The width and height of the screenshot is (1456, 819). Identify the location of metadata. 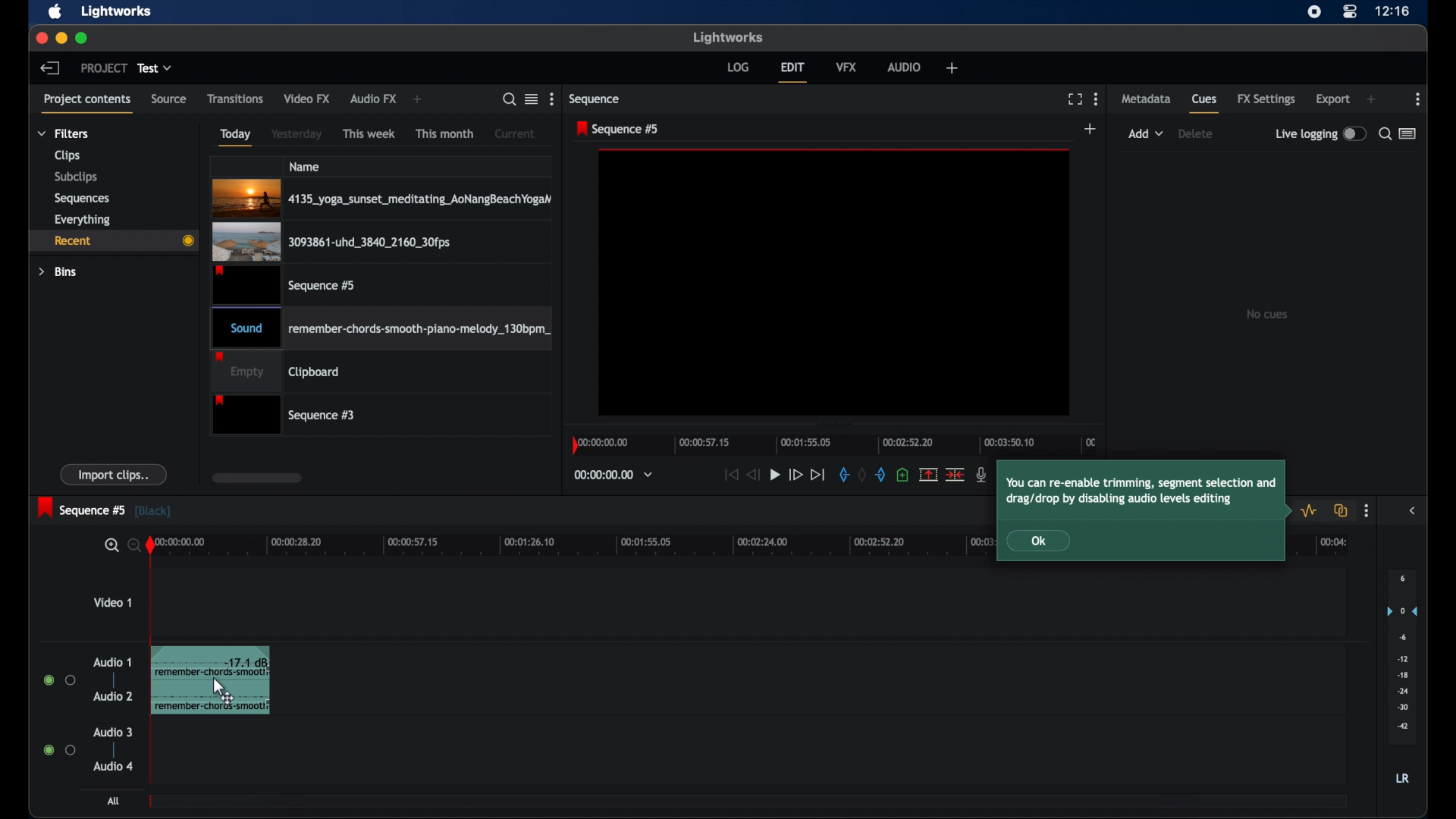
(1146, 98).